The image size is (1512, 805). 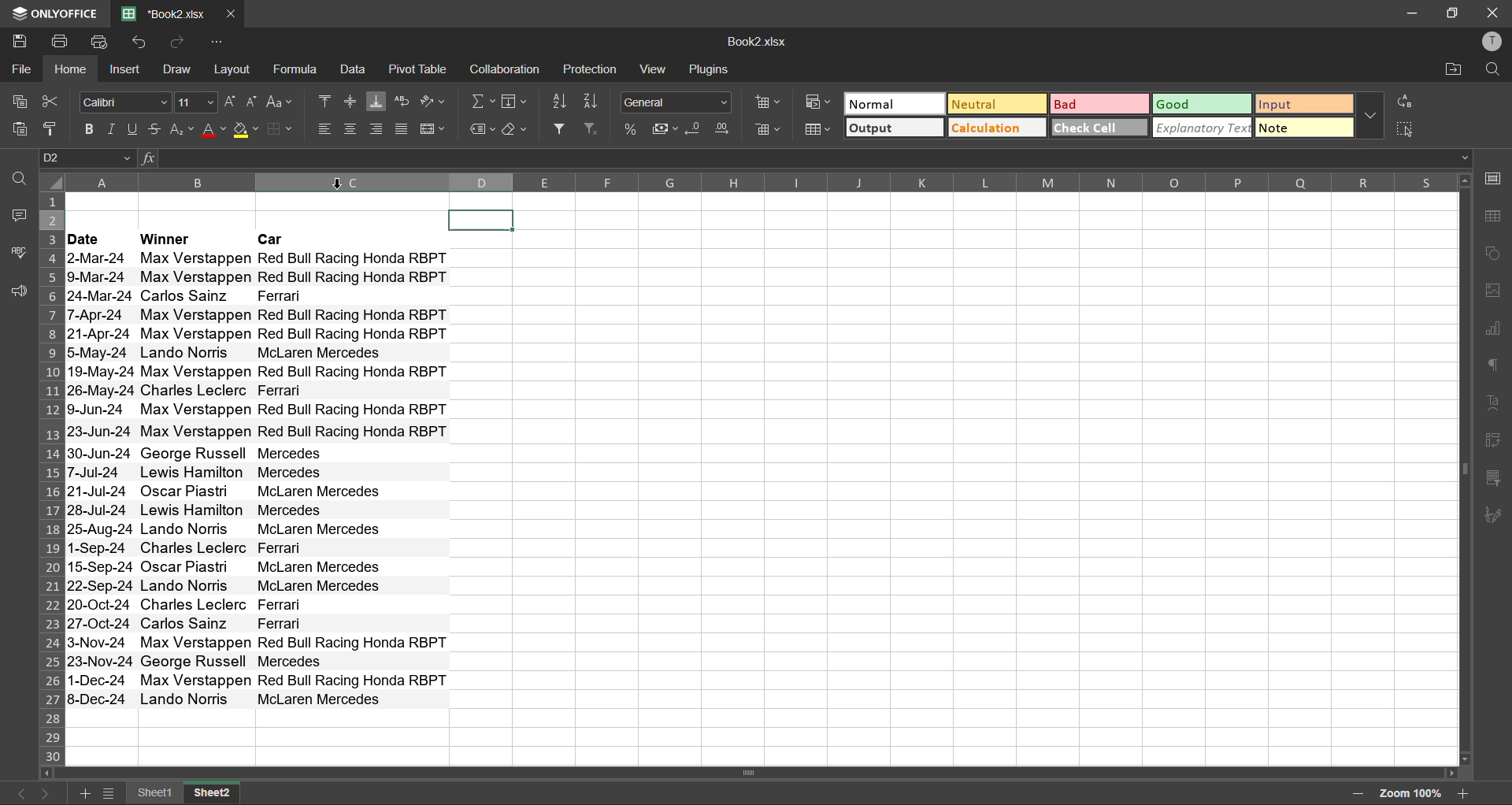 I want to click on wrap text, so click(x=402, y=101).